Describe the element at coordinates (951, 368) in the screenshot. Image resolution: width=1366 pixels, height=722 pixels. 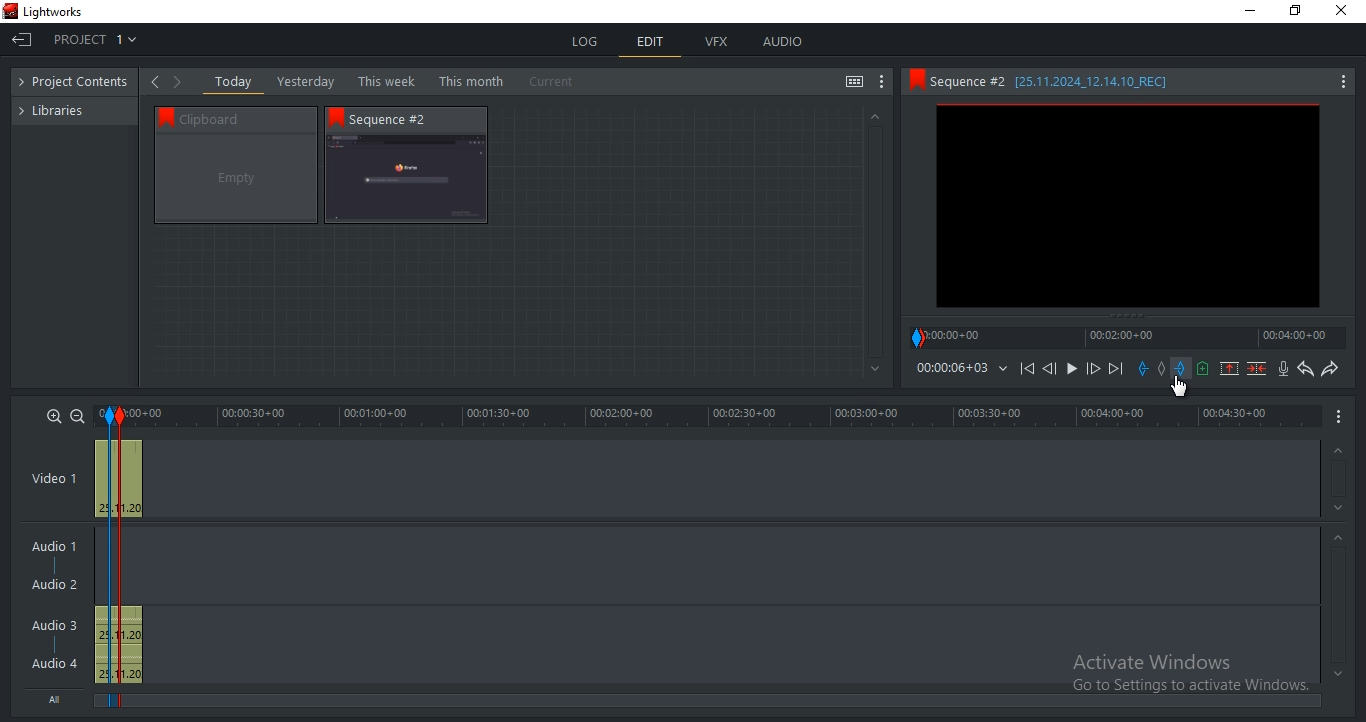
I see `timeline` at that location.